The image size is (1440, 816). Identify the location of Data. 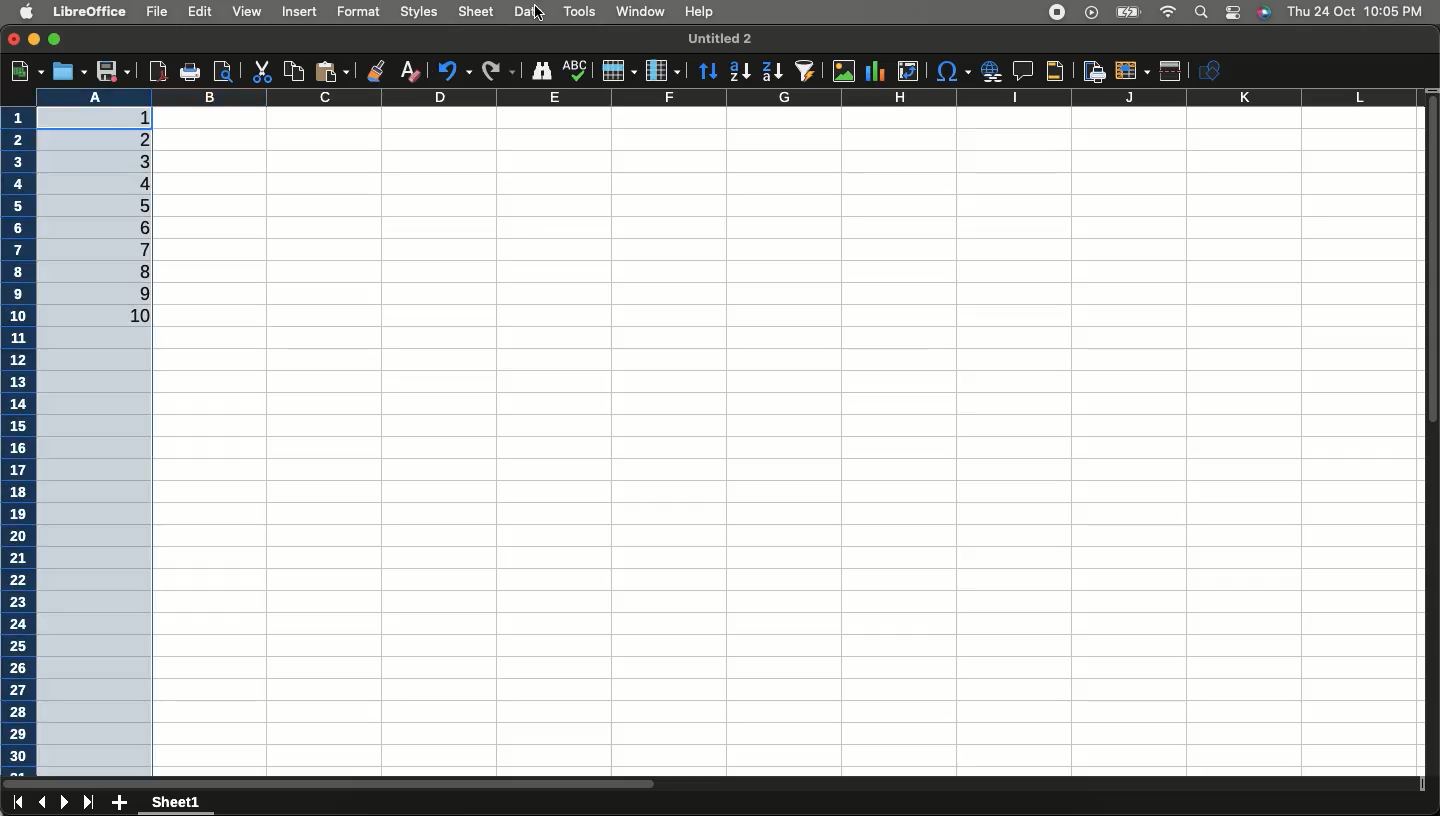
(529, 10).